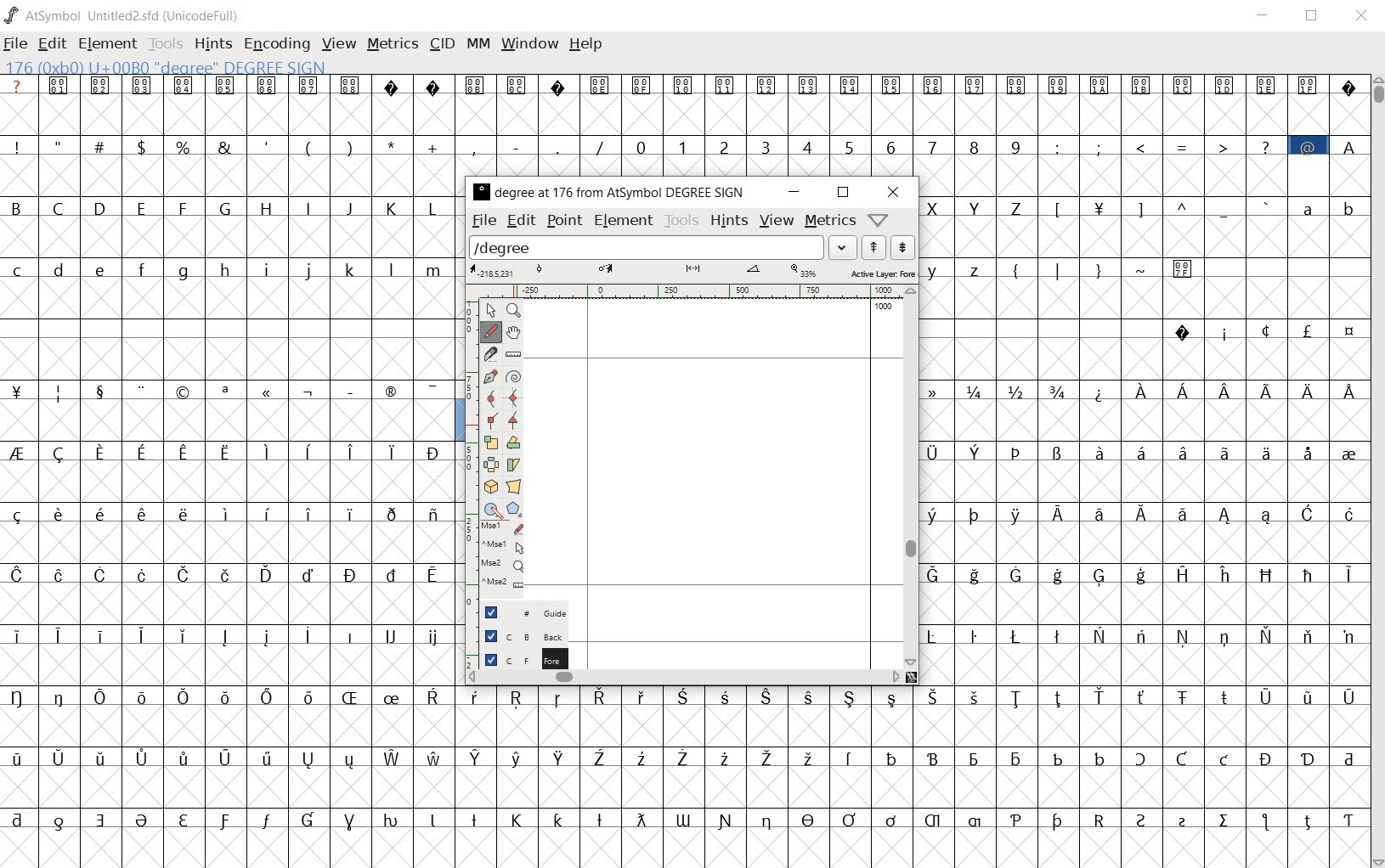 The height and width of the screenshot is (868, 1385). Describe the element at coordinates (902, 247) in the screenshot. I see `show the previous word on the list` at that location.